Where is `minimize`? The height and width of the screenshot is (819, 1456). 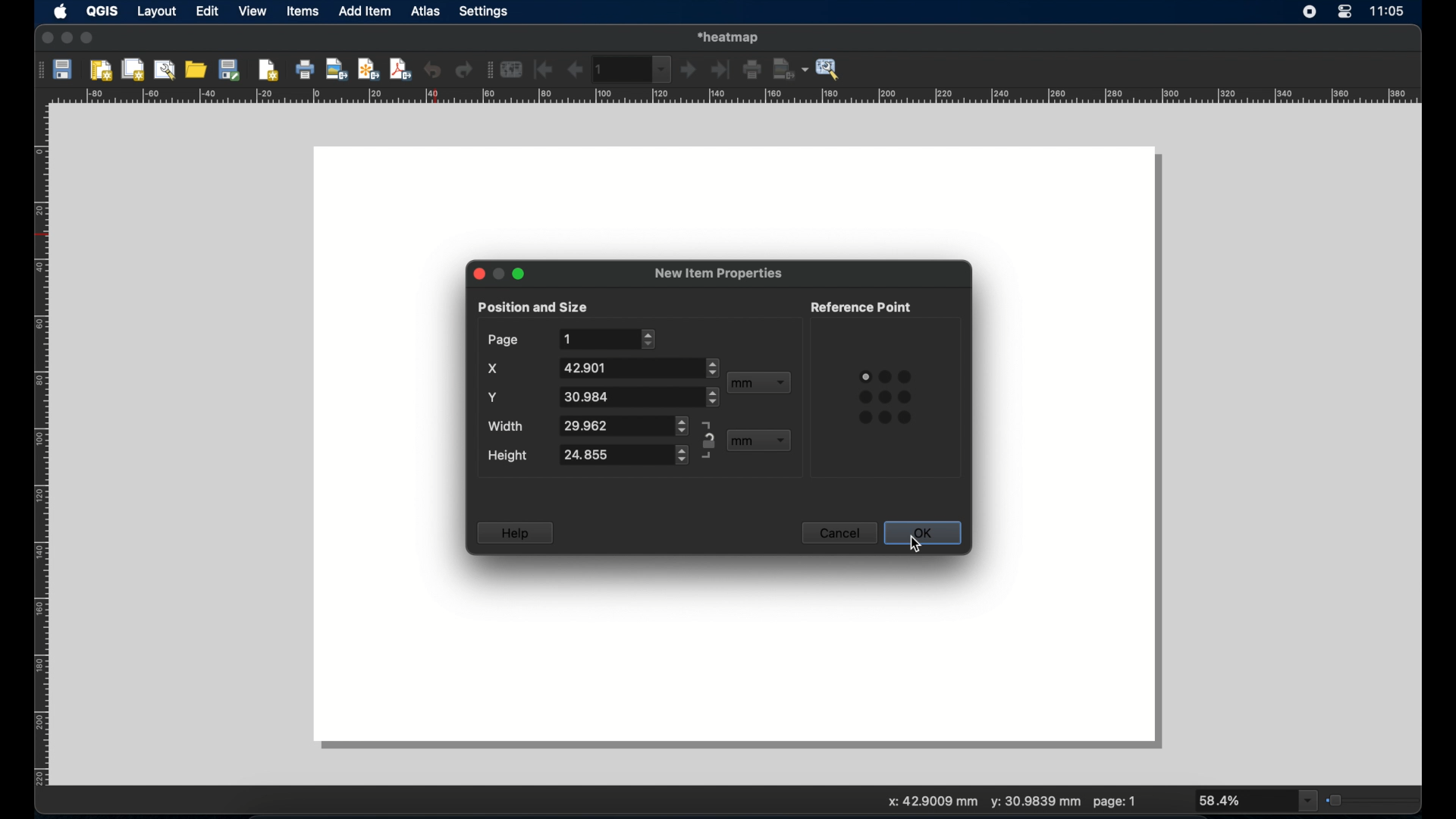
minimize is located at coordinates (67, 39).